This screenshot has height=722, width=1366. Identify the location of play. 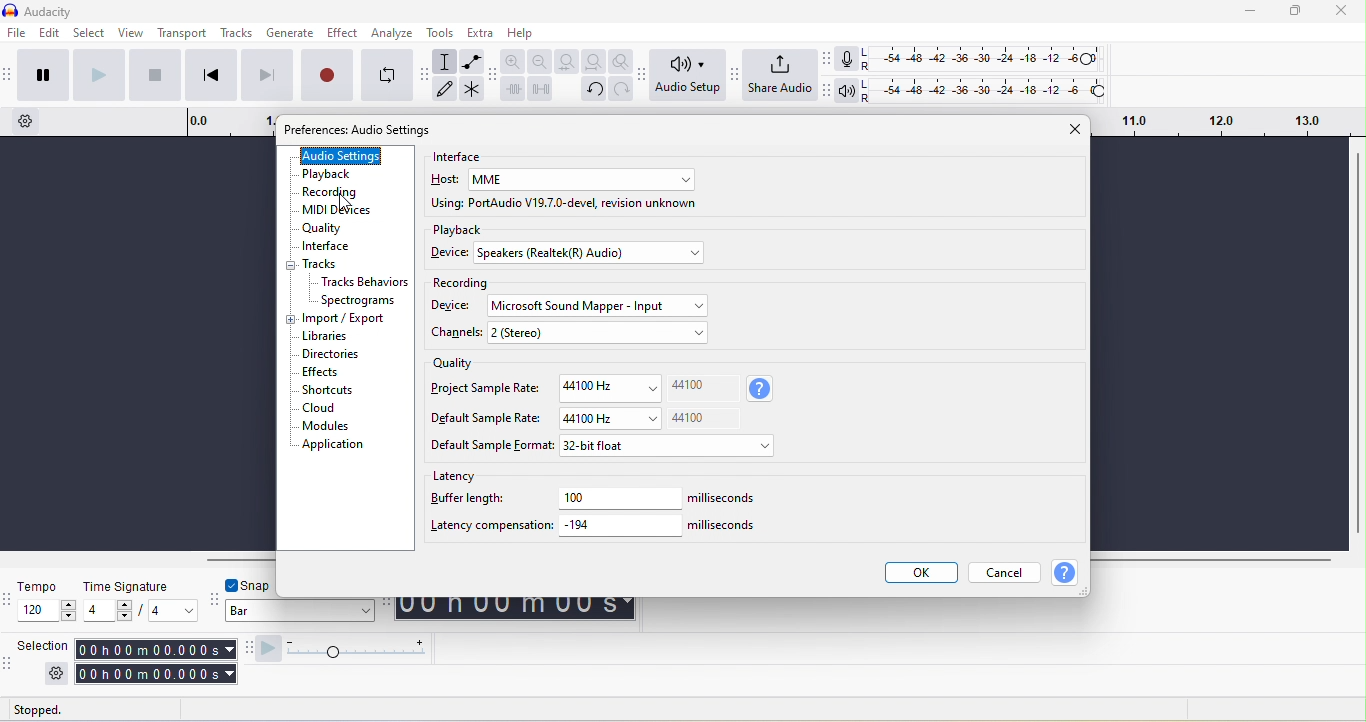
(104, 75).